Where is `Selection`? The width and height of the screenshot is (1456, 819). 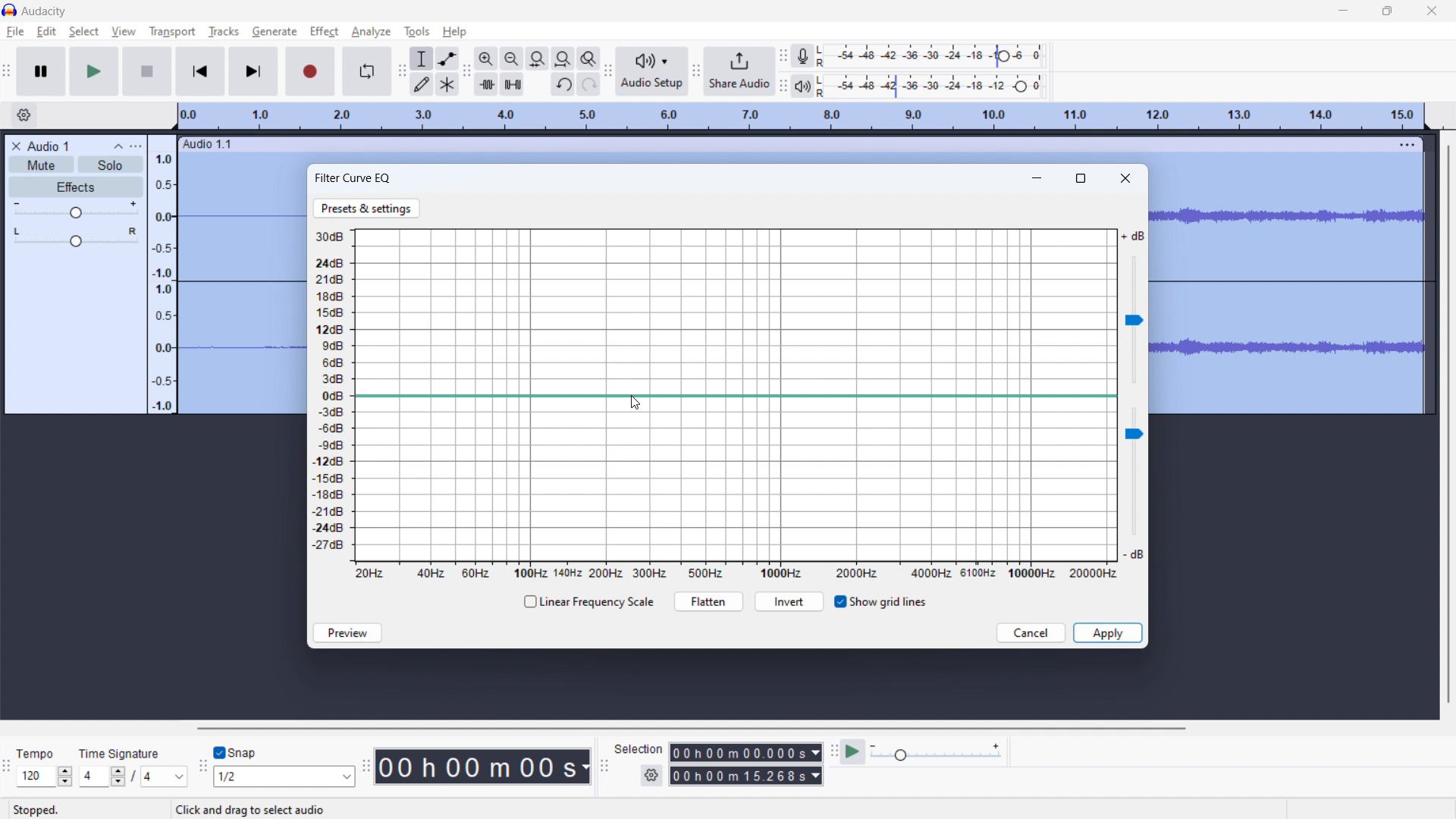 Selection is located at coordinates (639, 747).